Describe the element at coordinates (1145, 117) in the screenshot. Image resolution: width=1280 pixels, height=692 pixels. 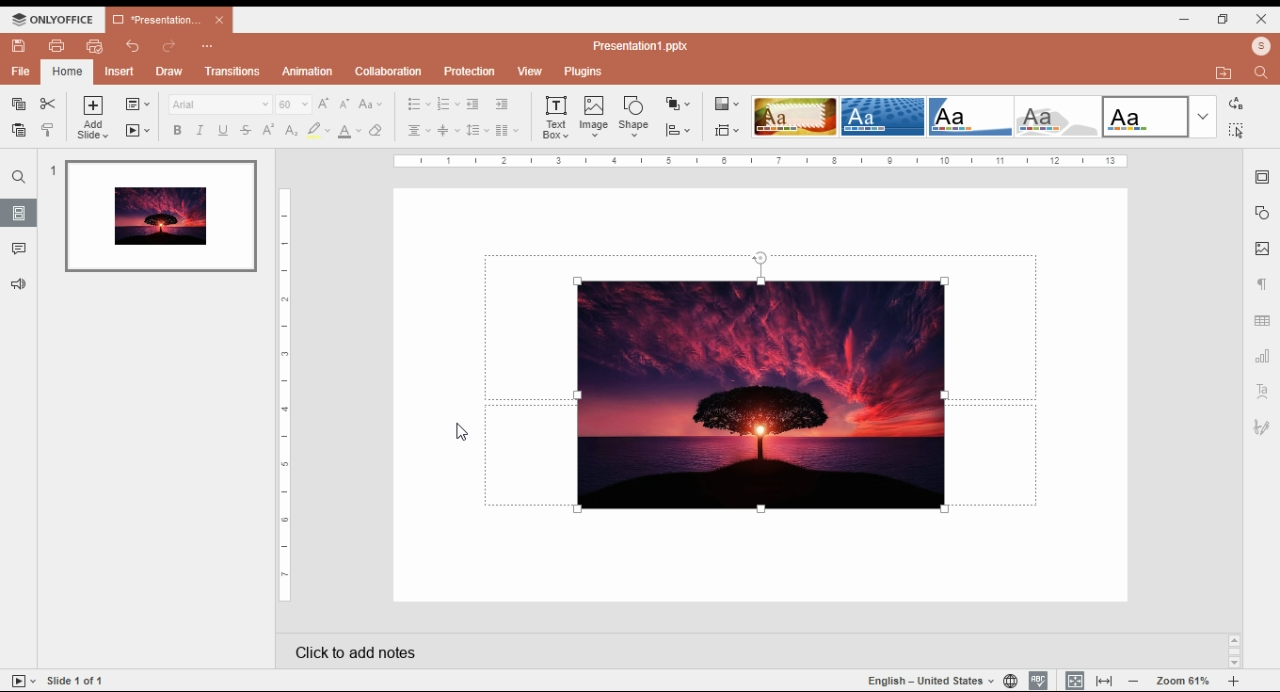
I see `theme 5` at that location.